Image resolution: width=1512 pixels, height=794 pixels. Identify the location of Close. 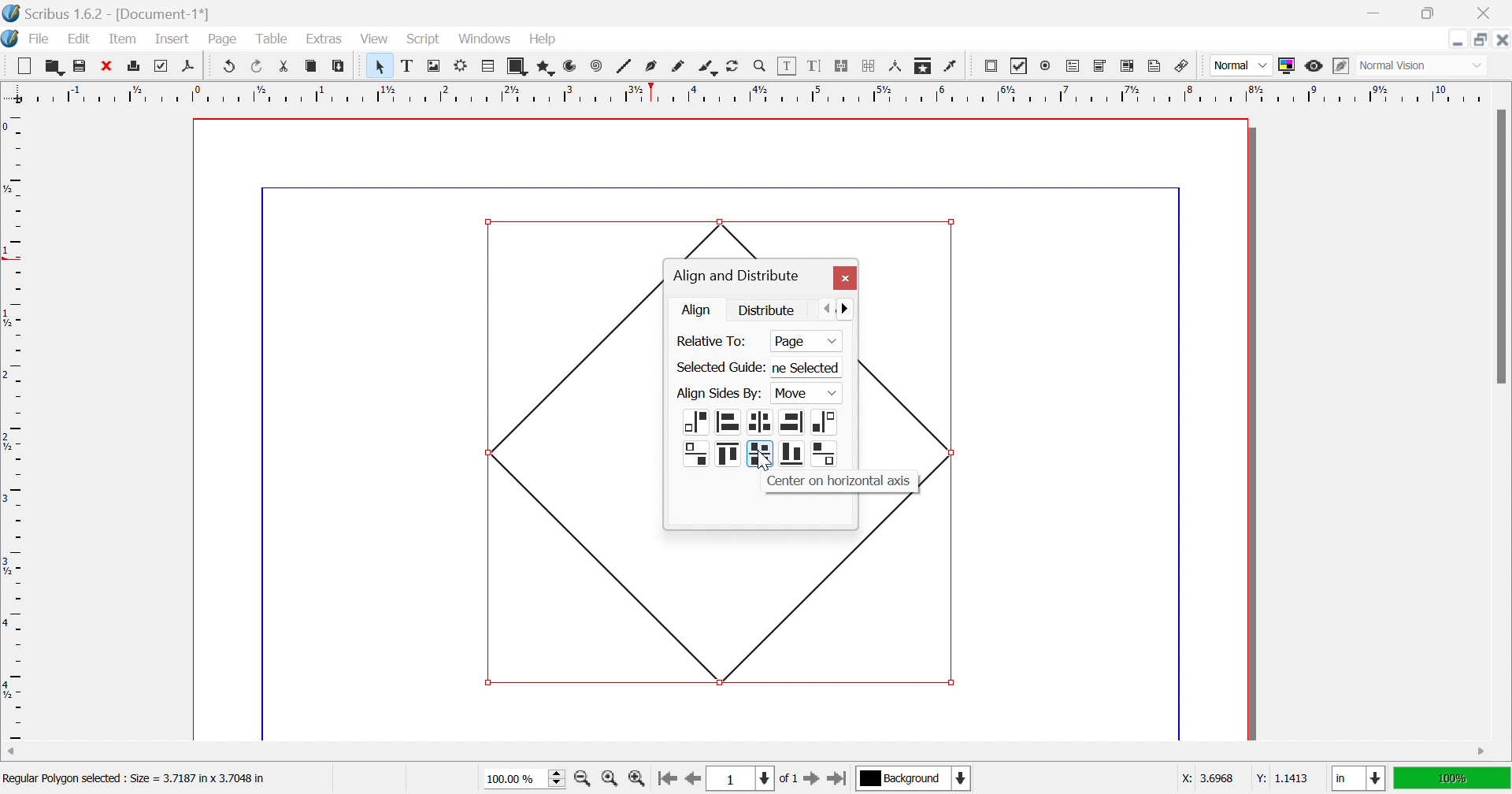
(105, 64).